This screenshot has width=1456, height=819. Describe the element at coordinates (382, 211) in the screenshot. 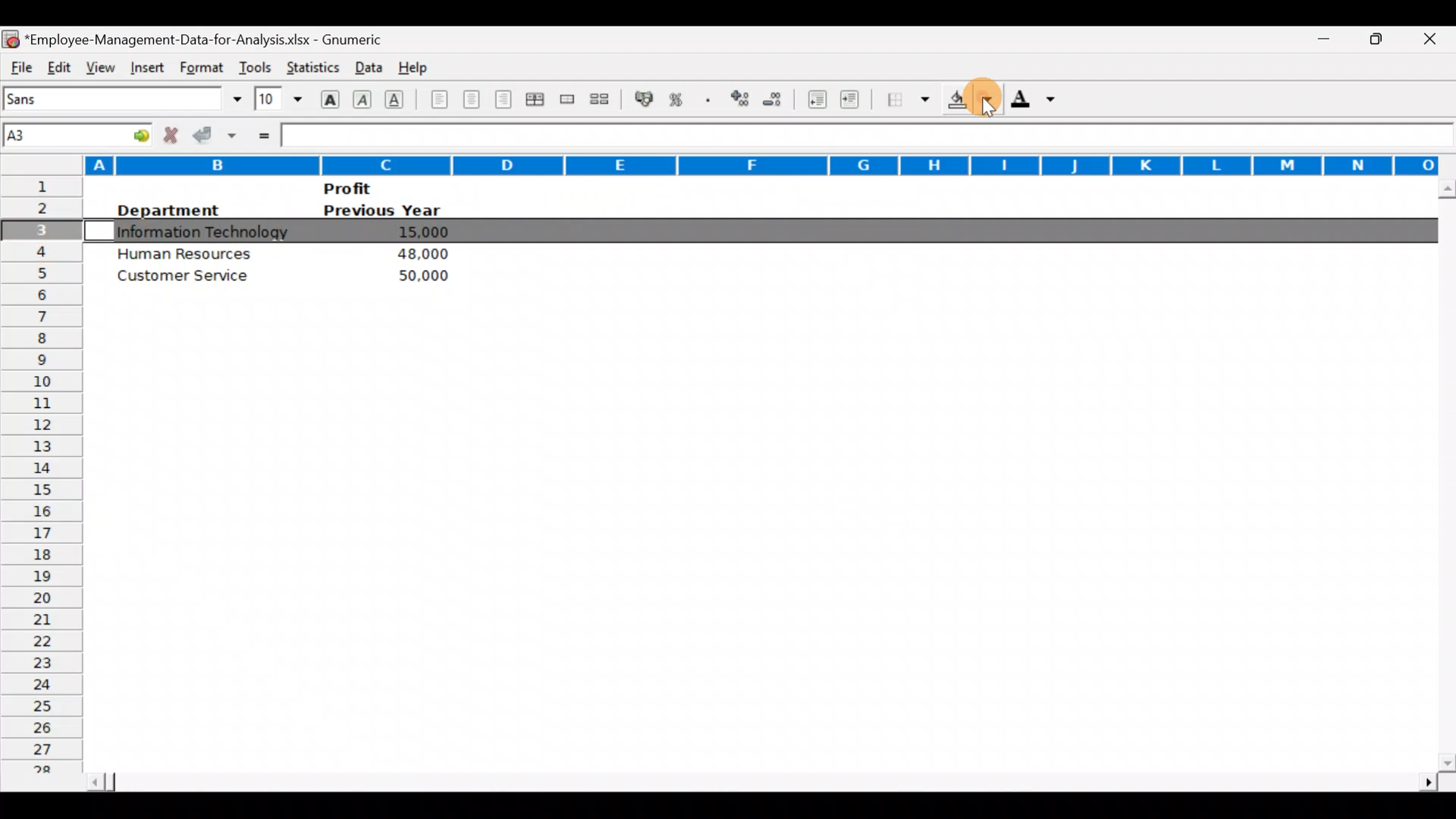

I see `Previous year` at that location.